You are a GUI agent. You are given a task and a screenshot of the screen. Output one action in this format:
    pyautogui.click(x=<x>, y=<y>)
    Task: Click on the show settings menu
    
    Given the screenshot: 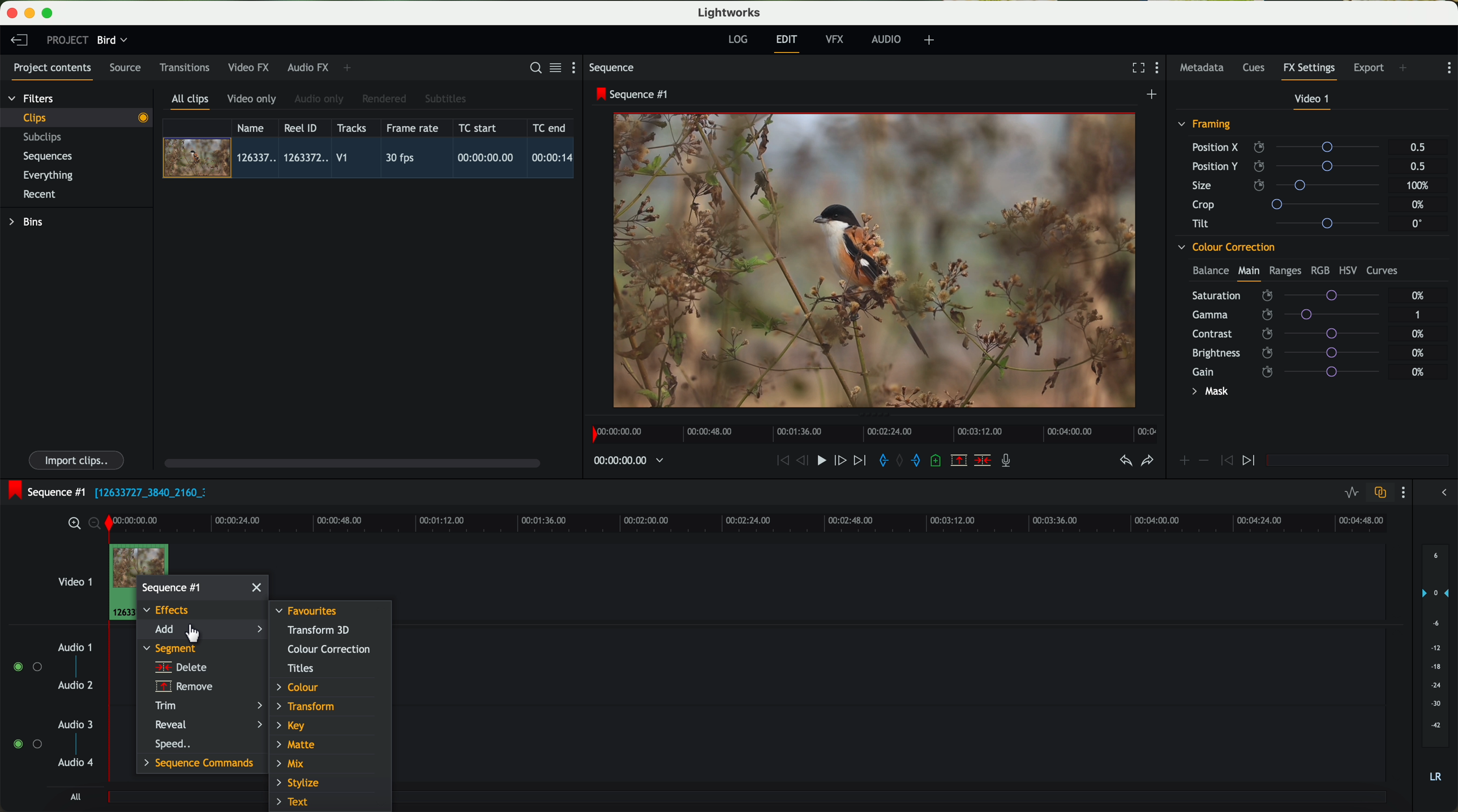 What is the action you would take?
    pyautogui.click(x=1160, y=69)
    